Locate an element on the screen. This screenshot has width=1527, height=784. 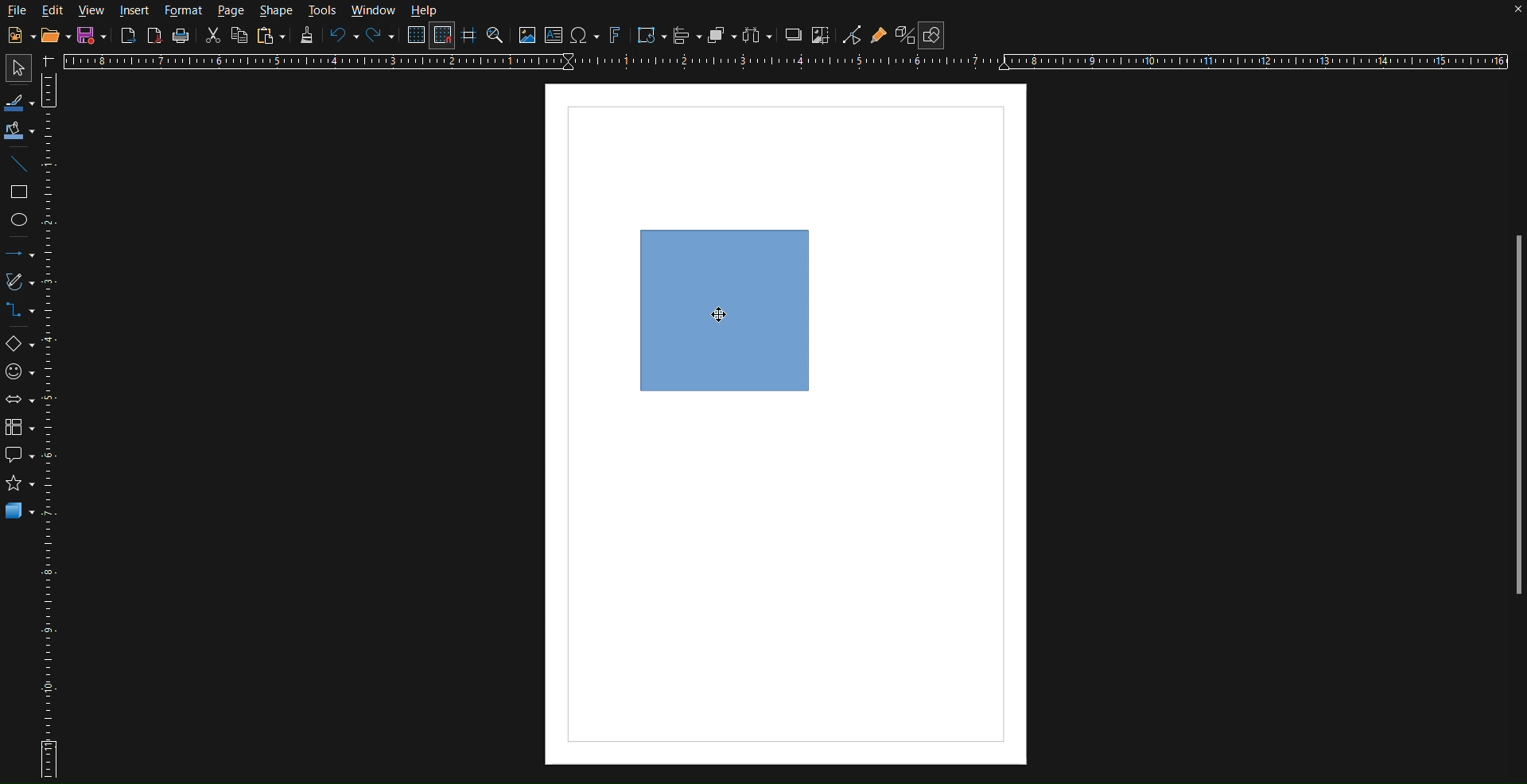
Print is located at coordinates (181, 38).